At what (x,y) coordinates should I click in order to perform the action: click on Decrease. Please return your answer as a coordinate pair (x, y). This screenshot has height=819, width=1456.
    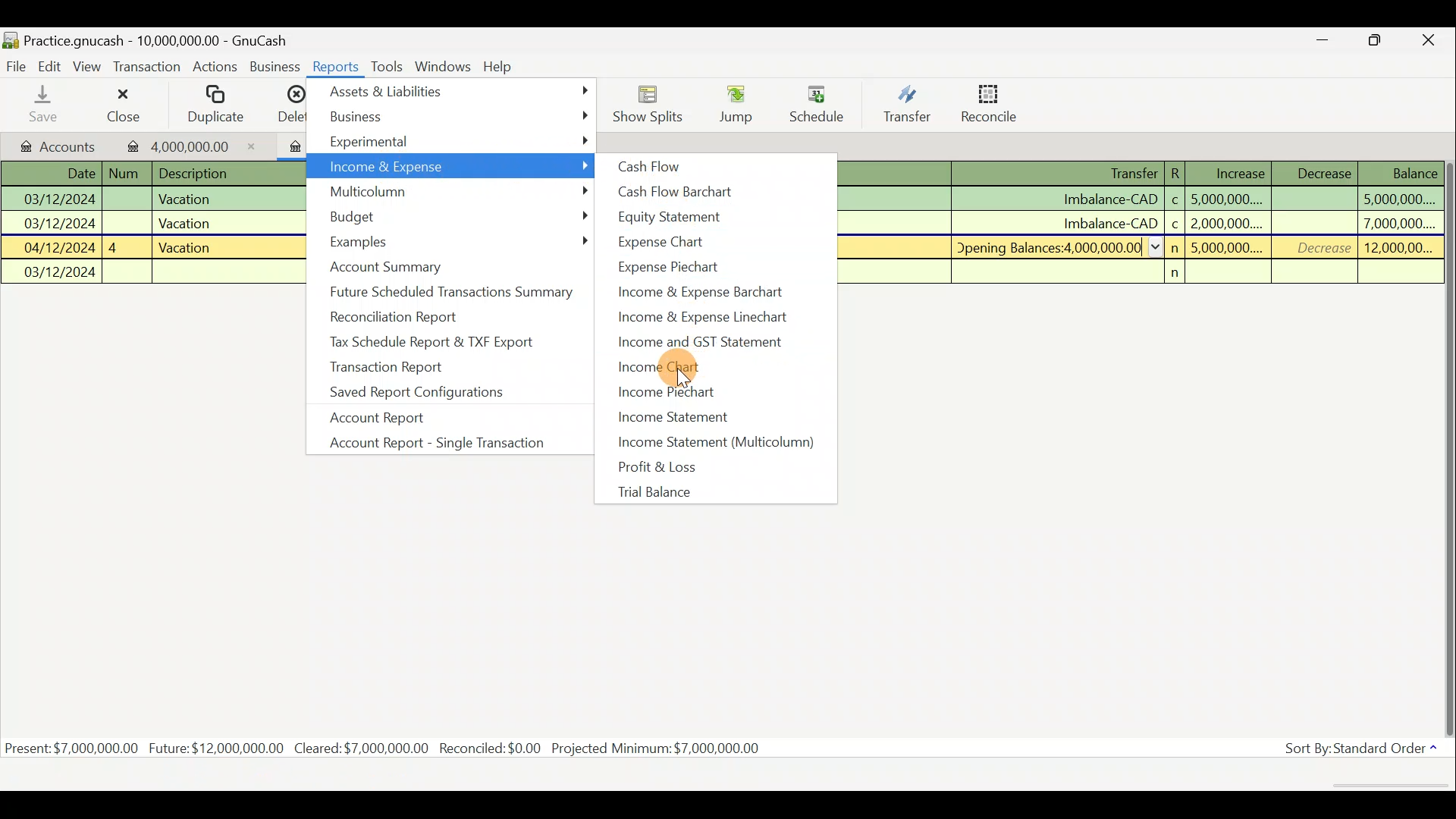
    Looking at the image, I should click on (1326, 247).